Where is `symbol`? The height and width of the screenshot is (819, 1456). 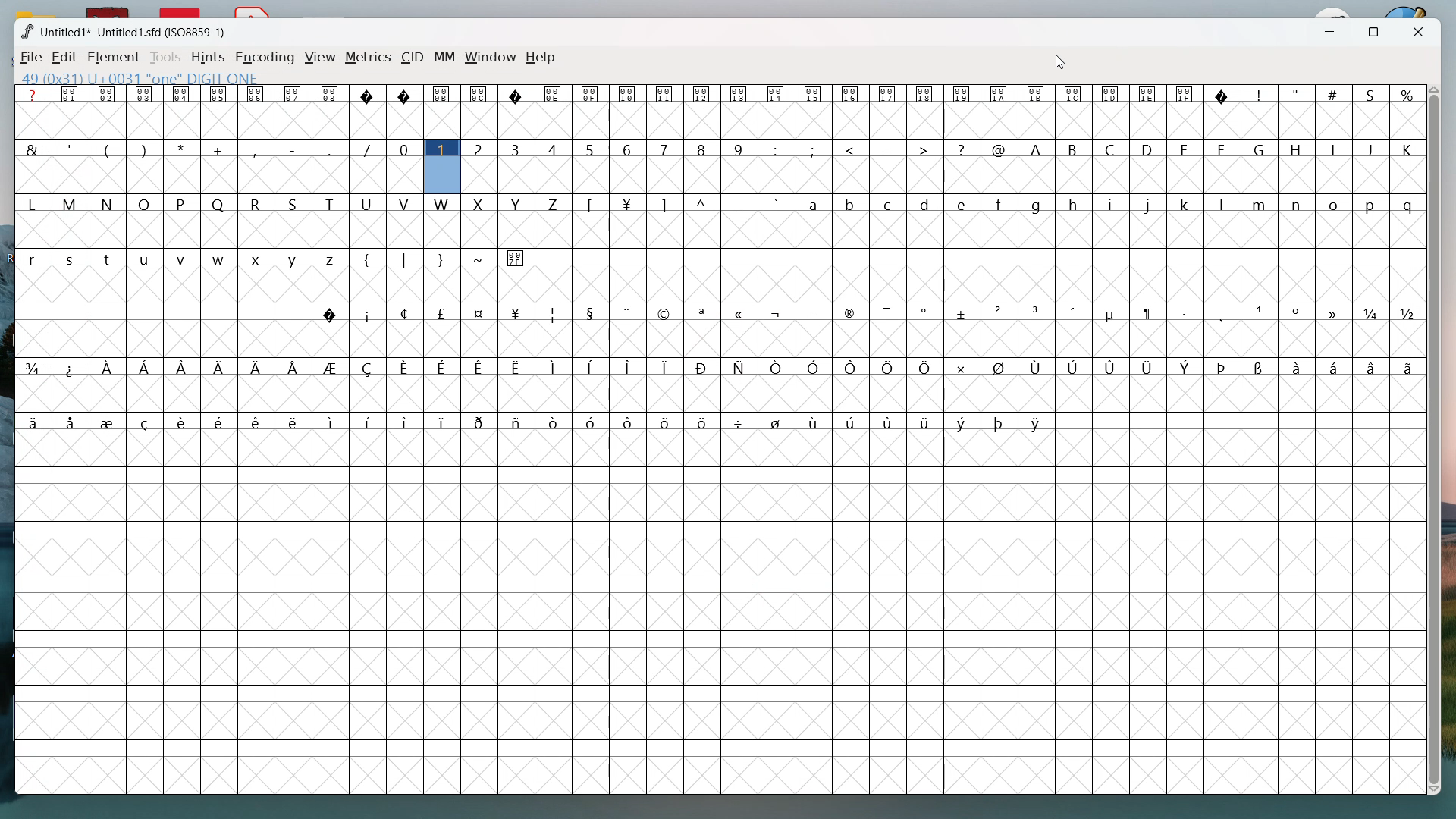 symbol is located at coordinates (629, 203).